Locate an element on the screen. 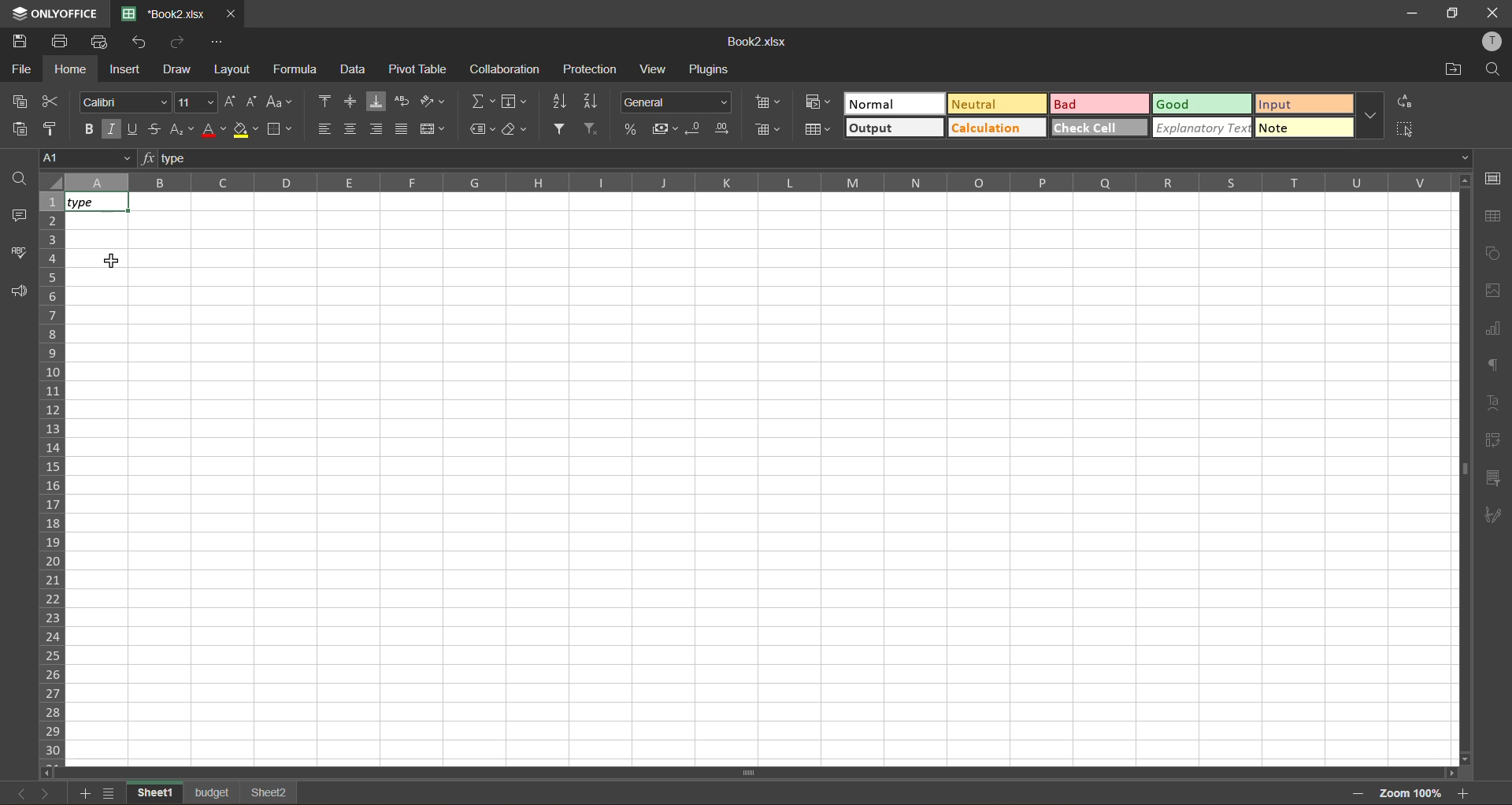  quick print is located at coordinates (102, 42).